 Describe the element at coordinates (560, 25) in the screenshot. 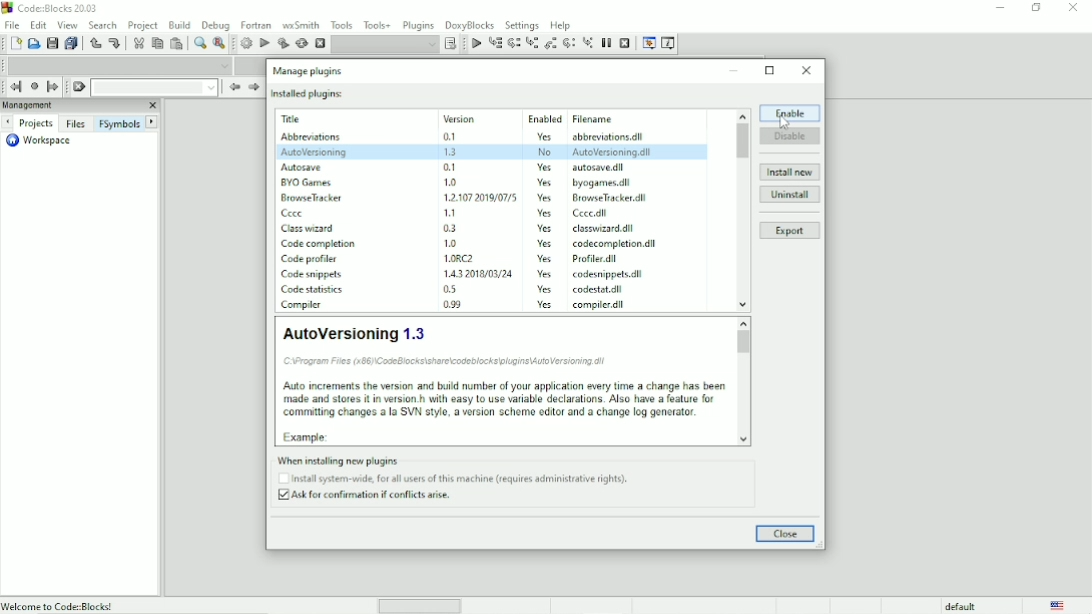

I see `Help` at that location.